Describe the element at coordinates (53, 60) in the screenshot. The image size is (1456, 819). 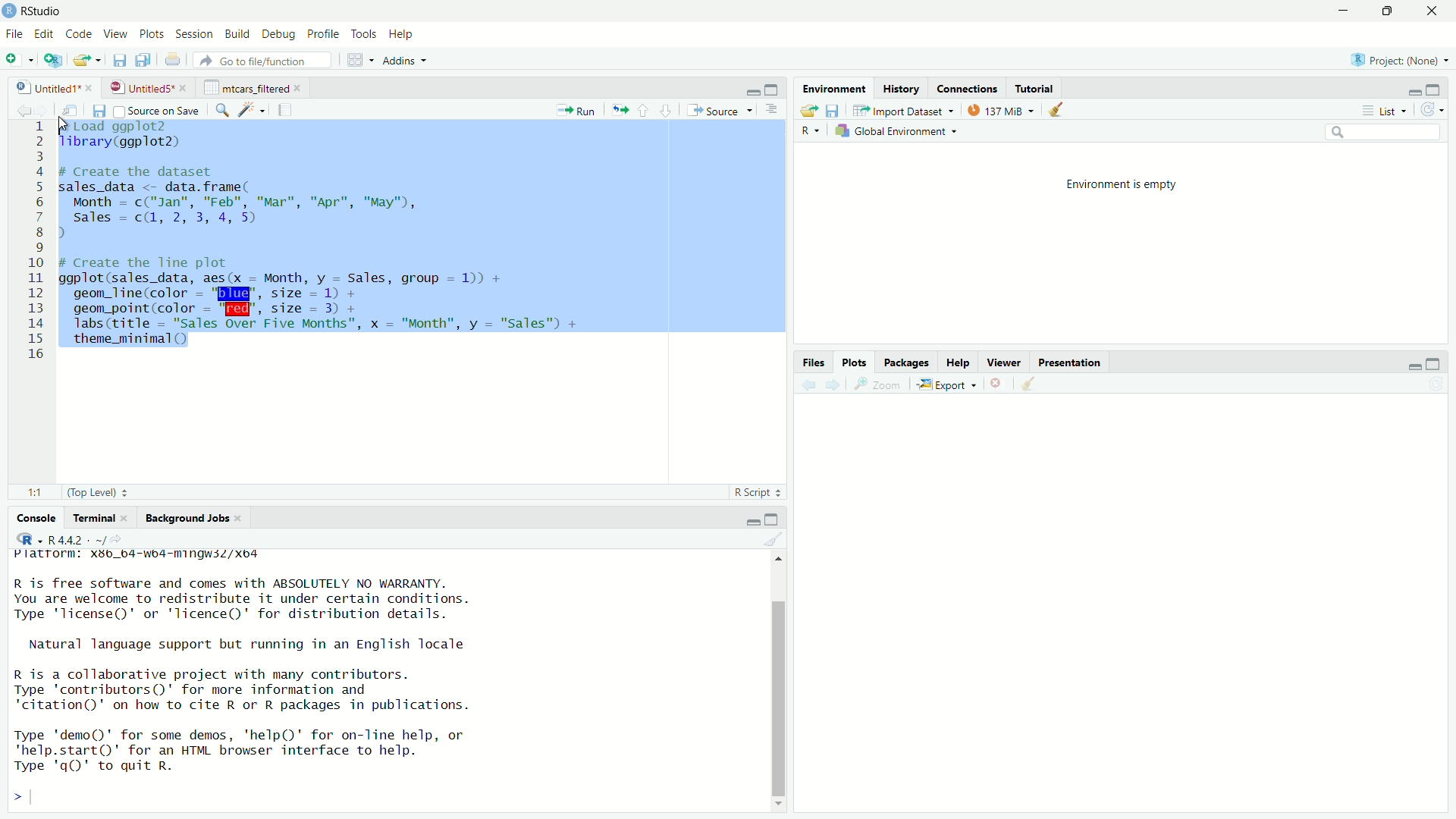
I see `create a project` at that location.